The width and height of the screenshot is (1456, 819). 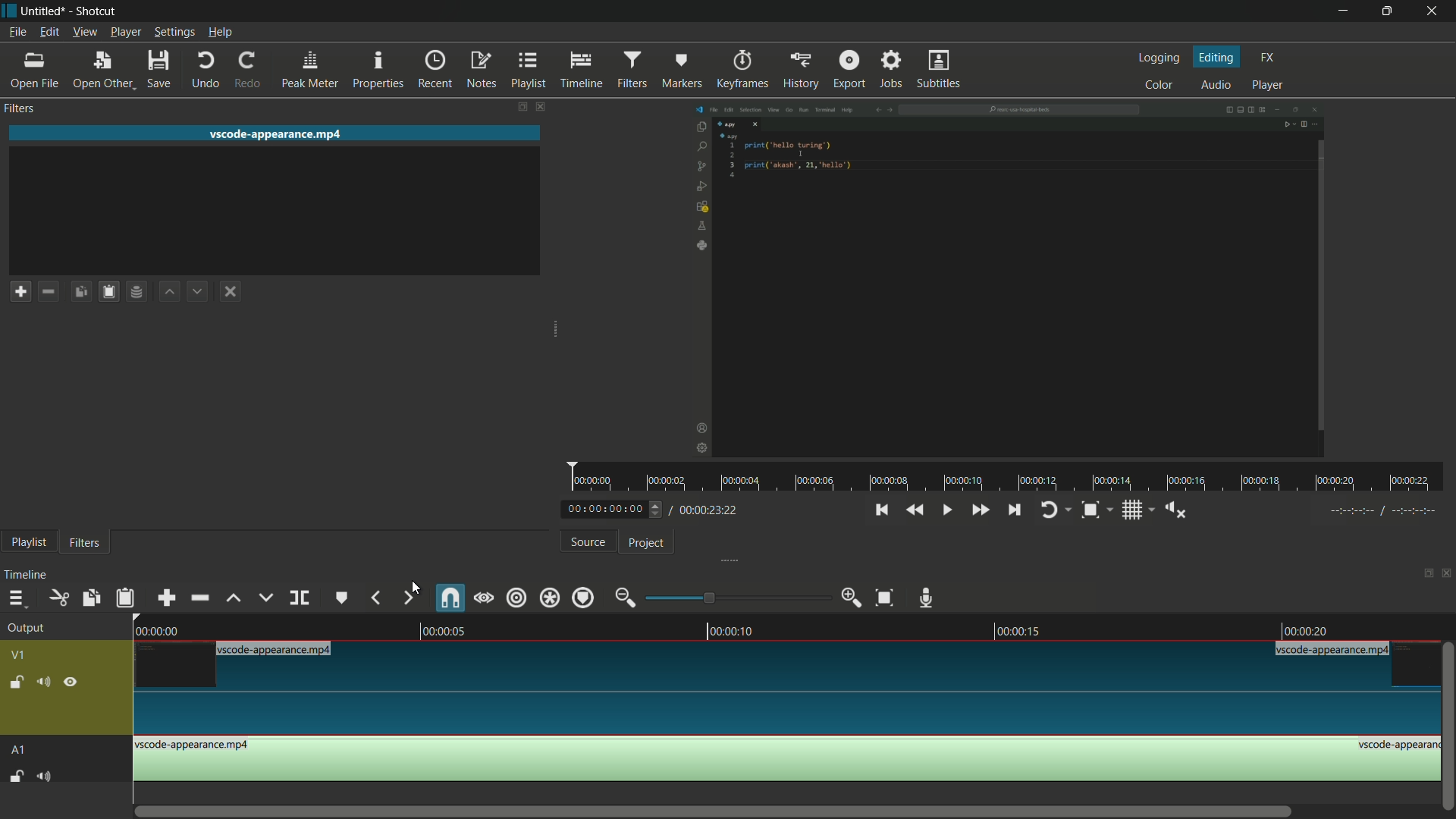 I want to click on undo, so click(x=208, y=69).